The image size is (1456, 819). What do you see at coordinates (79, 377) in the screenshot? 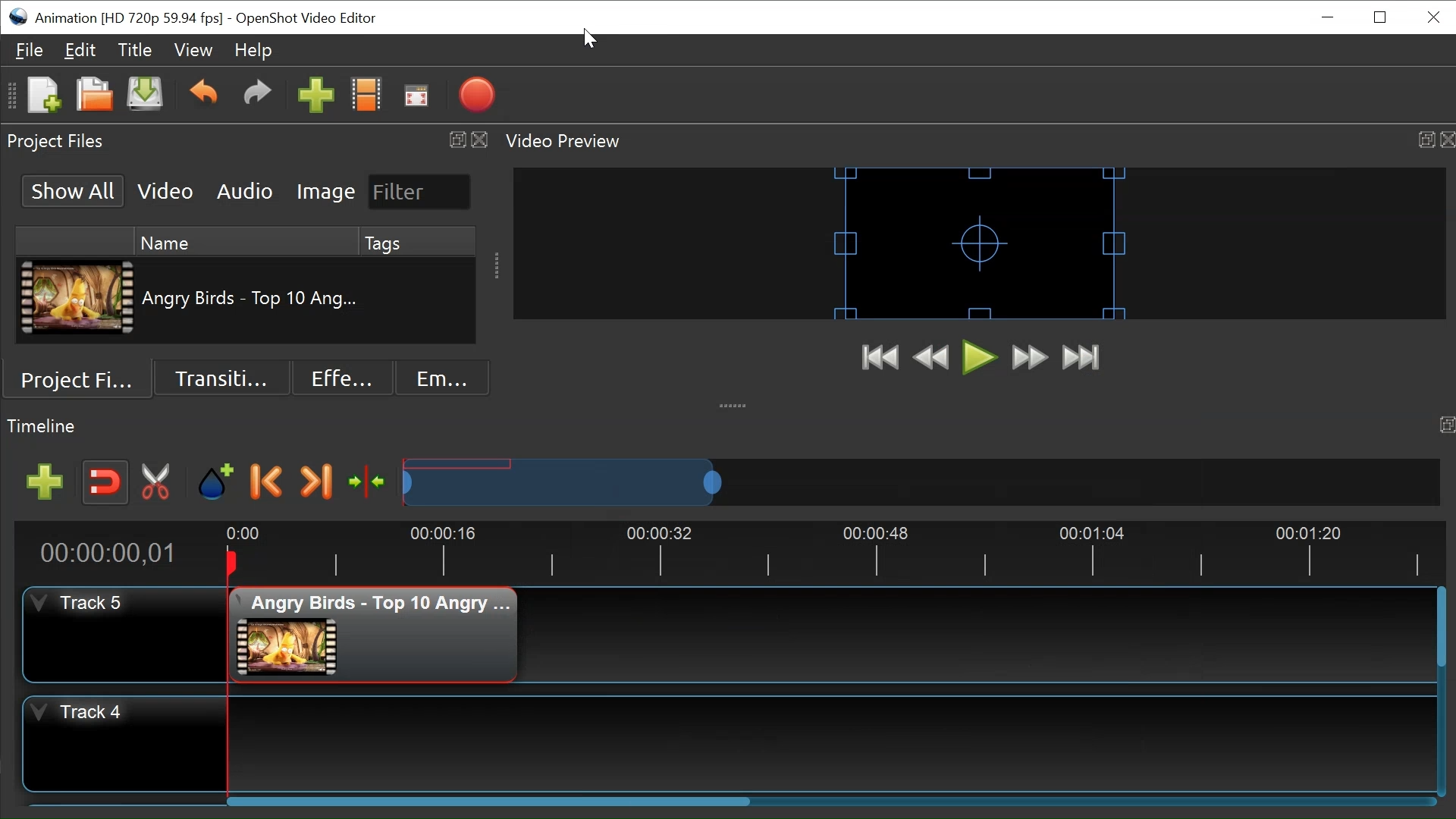
I see `Project Files` at bounding box center [79, 377].